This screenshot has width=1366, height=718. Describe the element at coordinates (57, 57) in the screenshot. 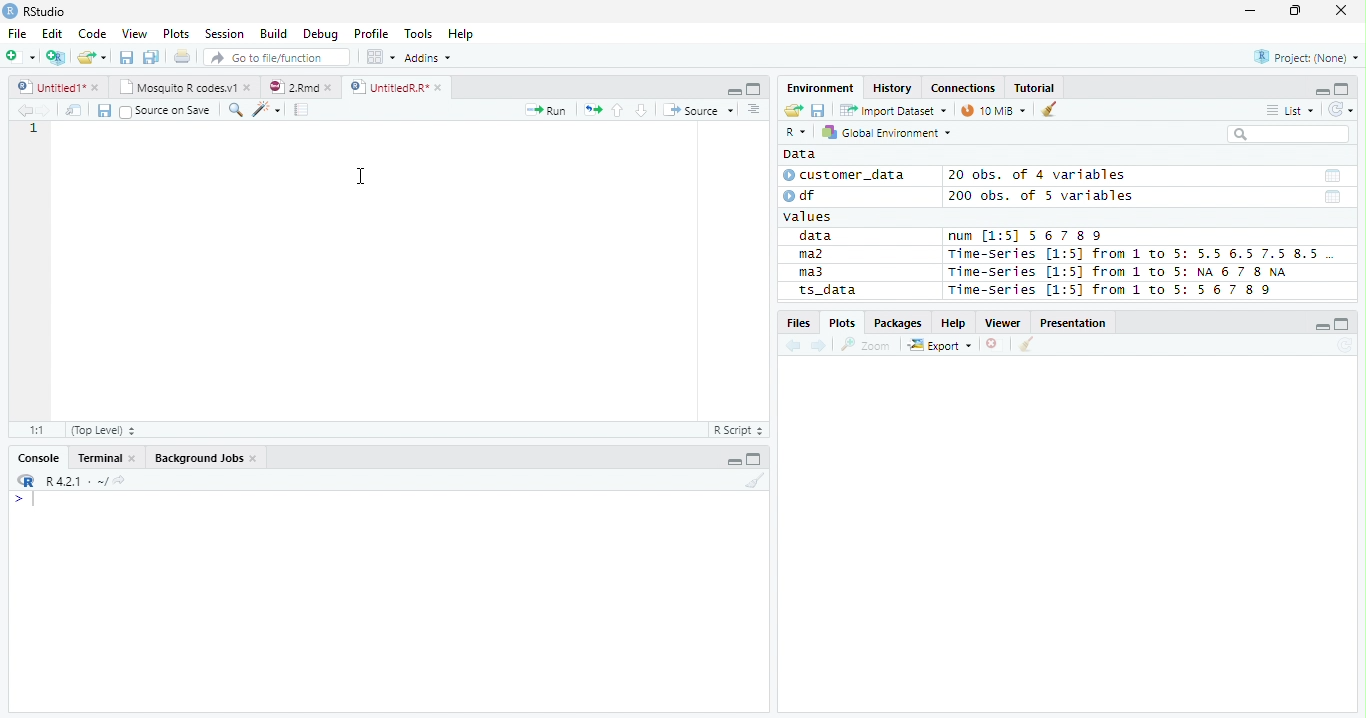

I see `Create Project` at that location.